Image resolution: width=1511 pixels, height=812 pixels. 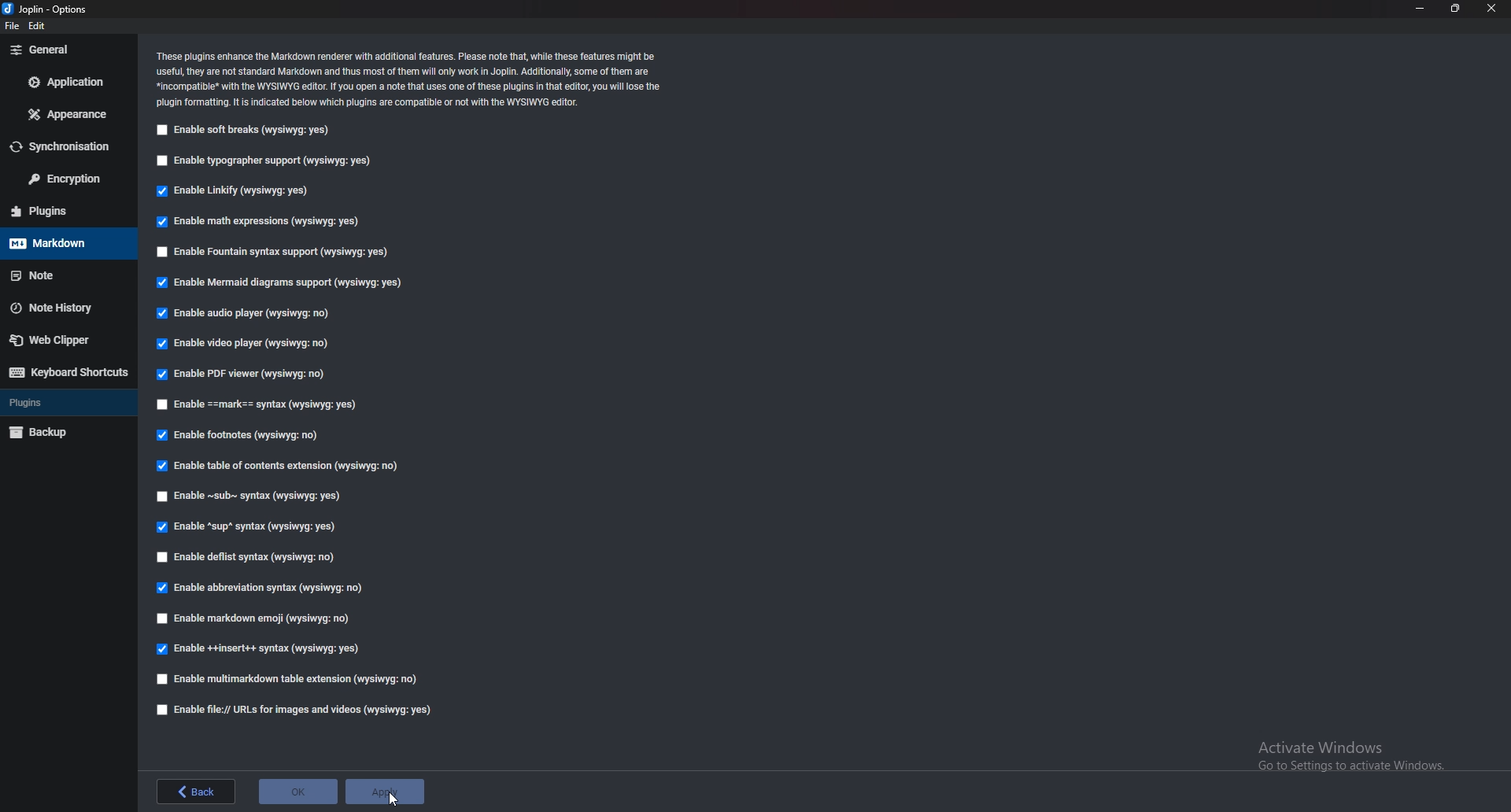 I want to click on Note history, so click(x=63, y=308).